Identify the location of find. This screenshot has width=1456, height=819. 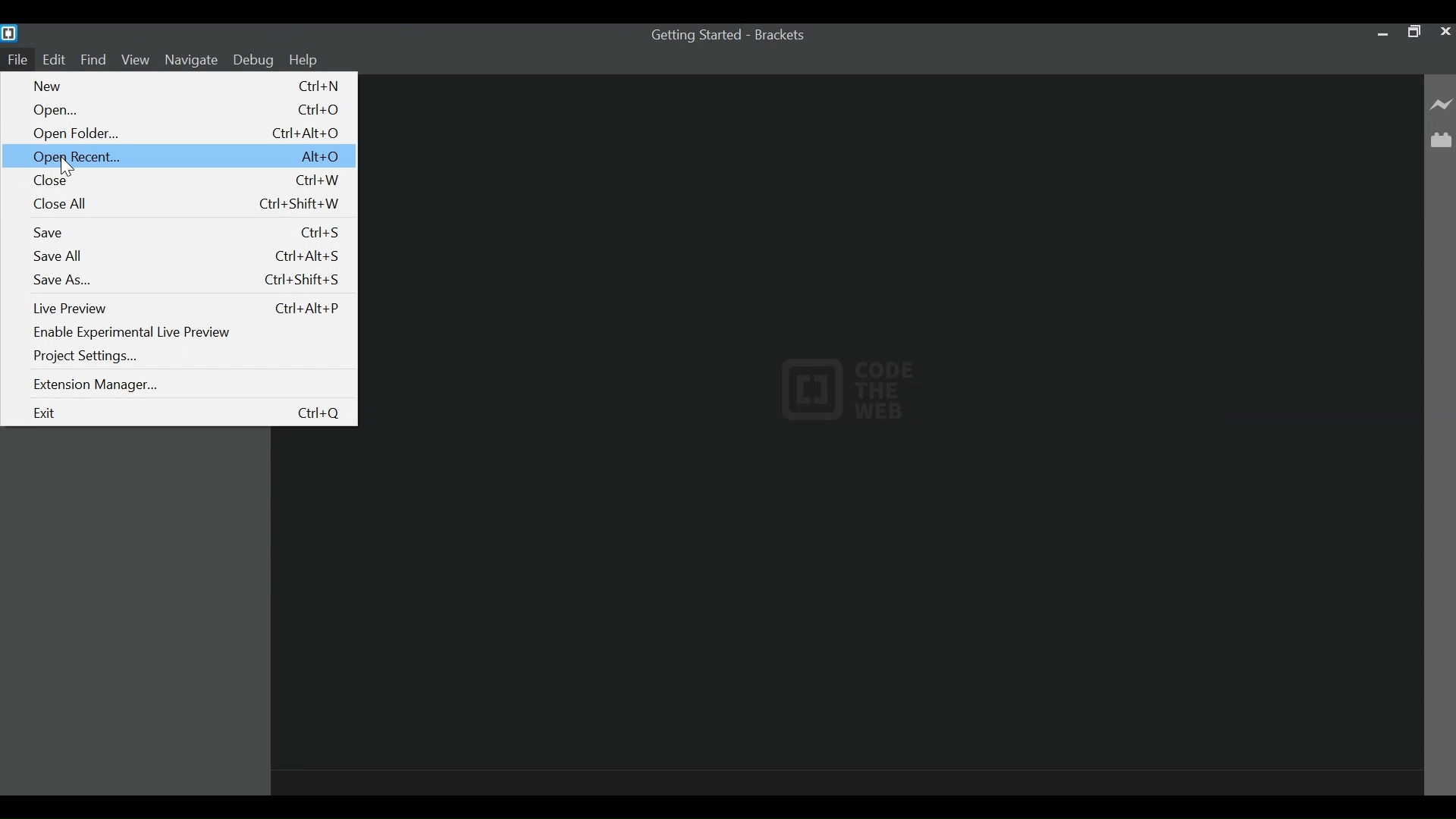
(94, 60).